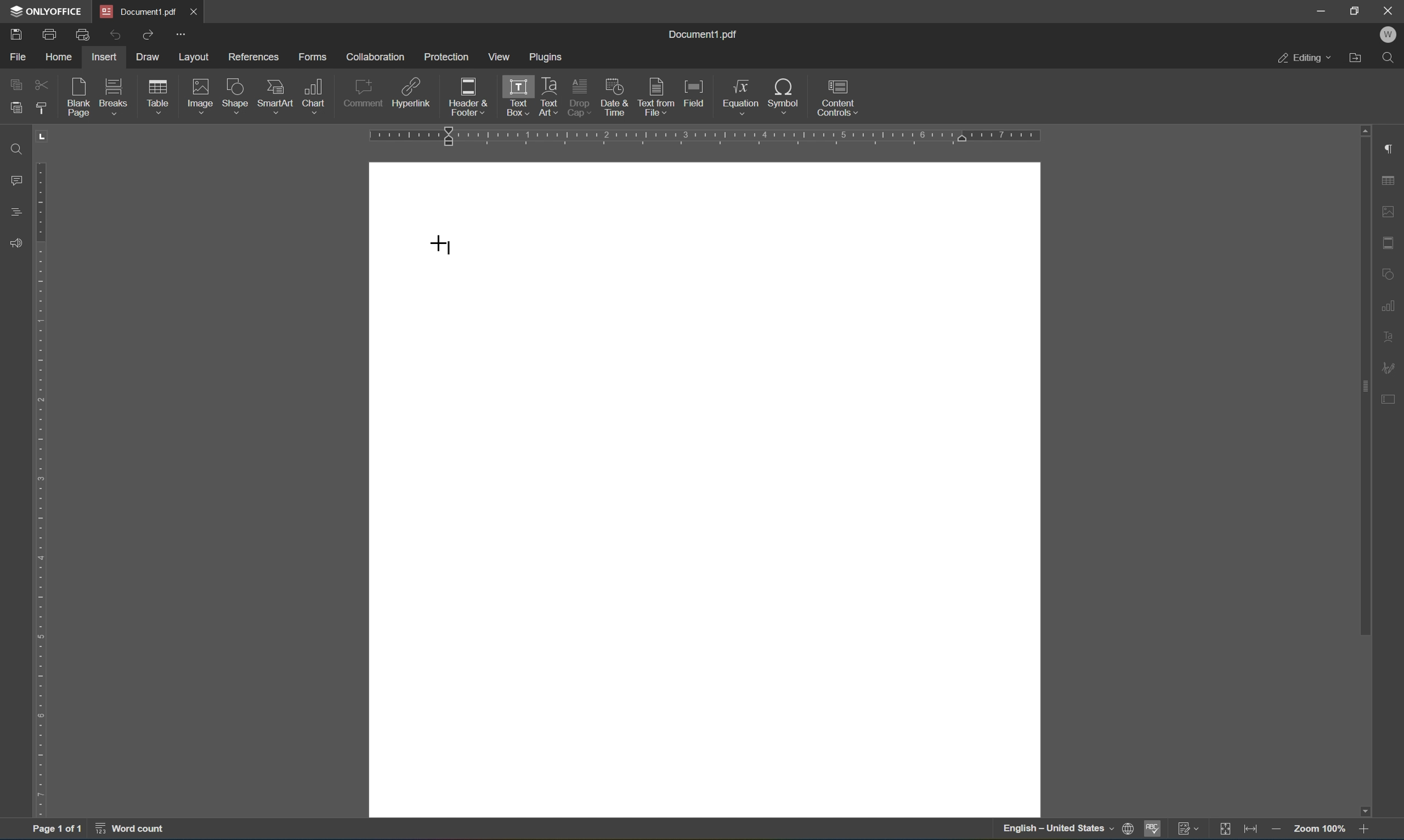  I want to click on zoom in, so click(1364, 830).